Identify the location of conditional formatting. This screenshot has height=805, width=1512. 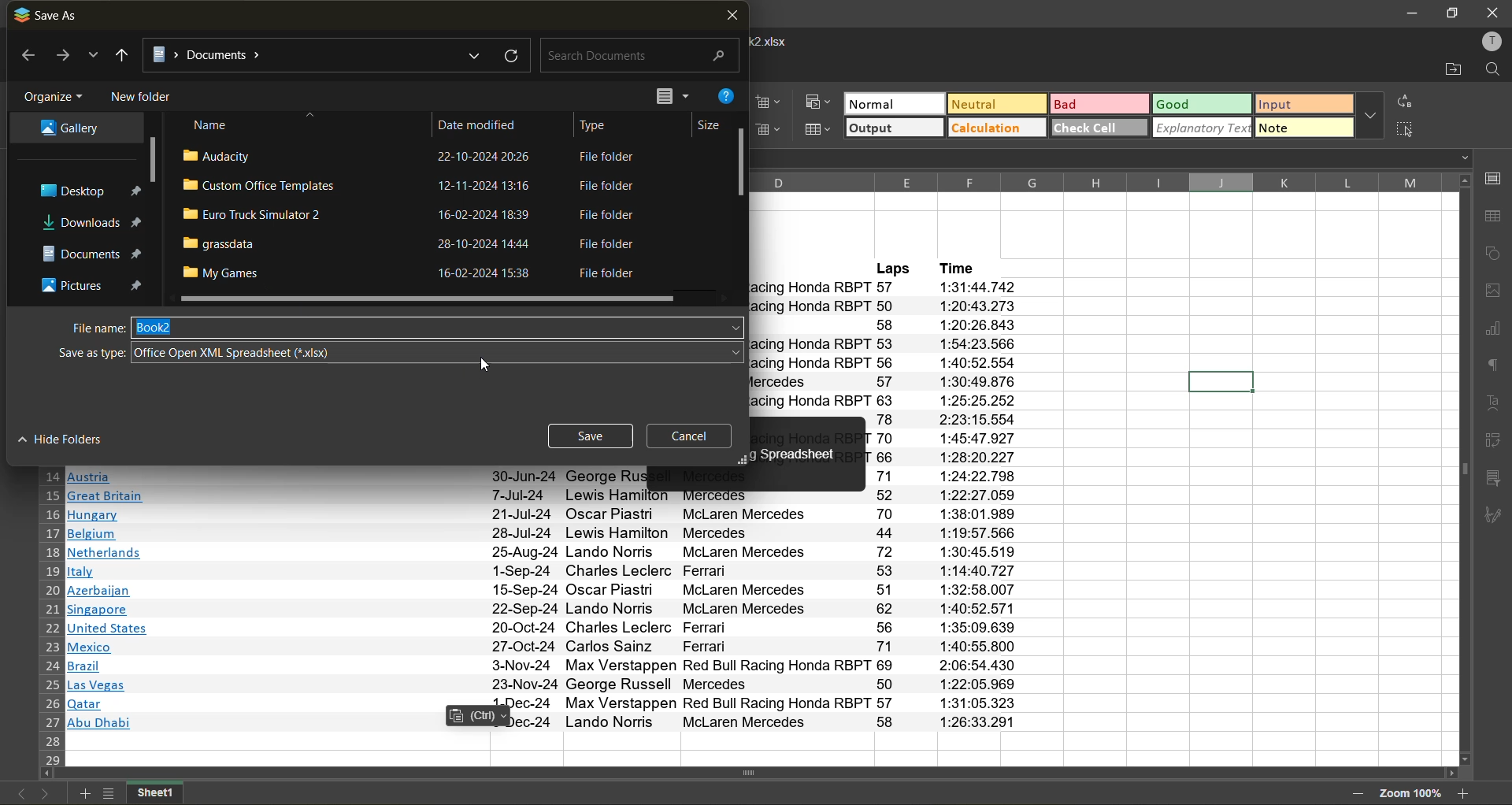
(821, 102).